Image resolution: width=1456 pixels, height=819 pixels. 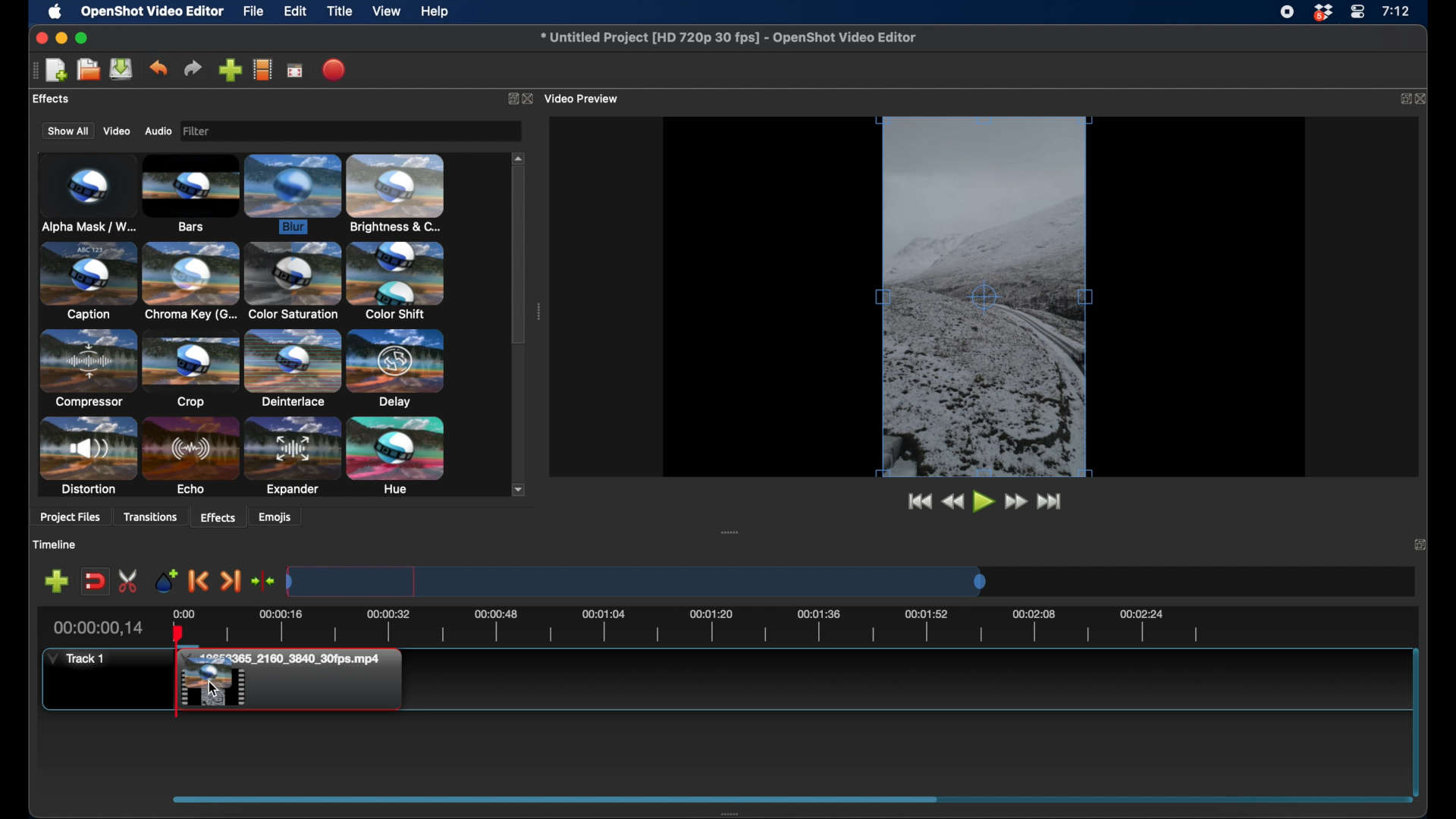 I want to click on maximize, so click(x=83, y=39).